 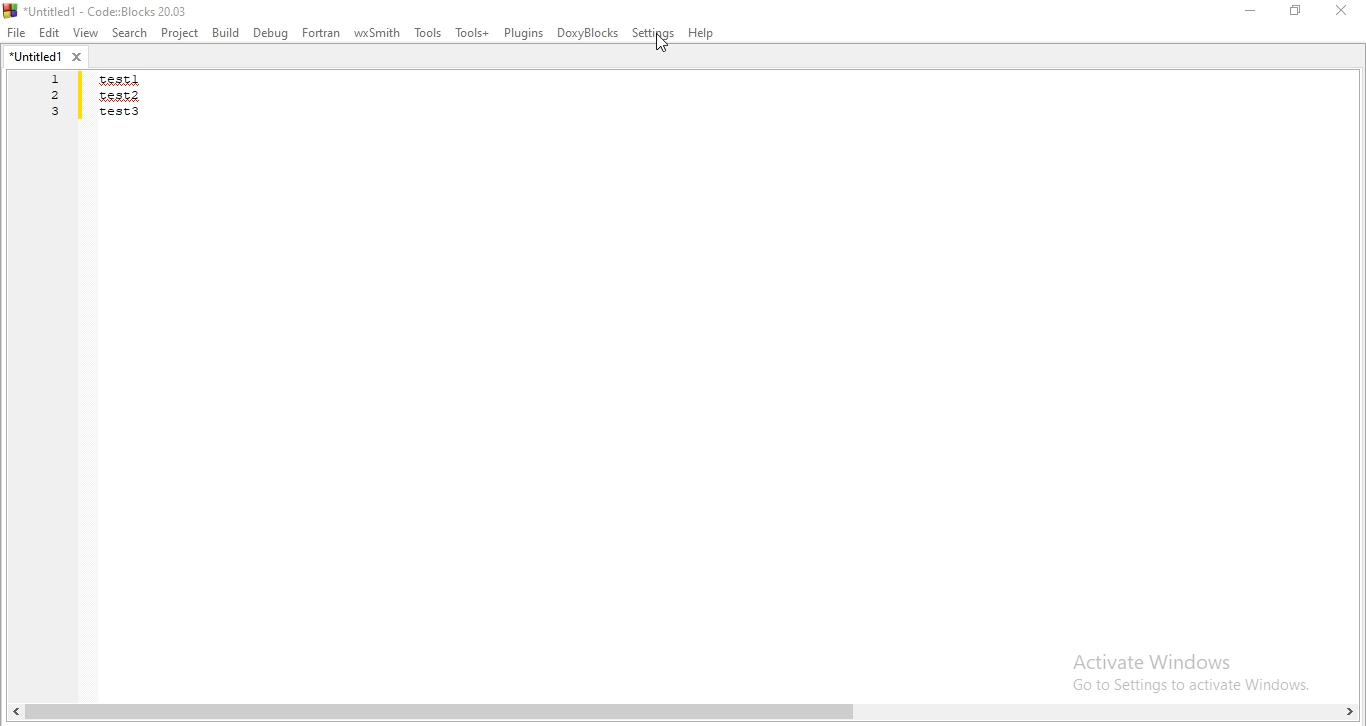 What do you see at coordinates (702, 34) in the screenshot?
I see `Help` at bounding box center [702, 34].